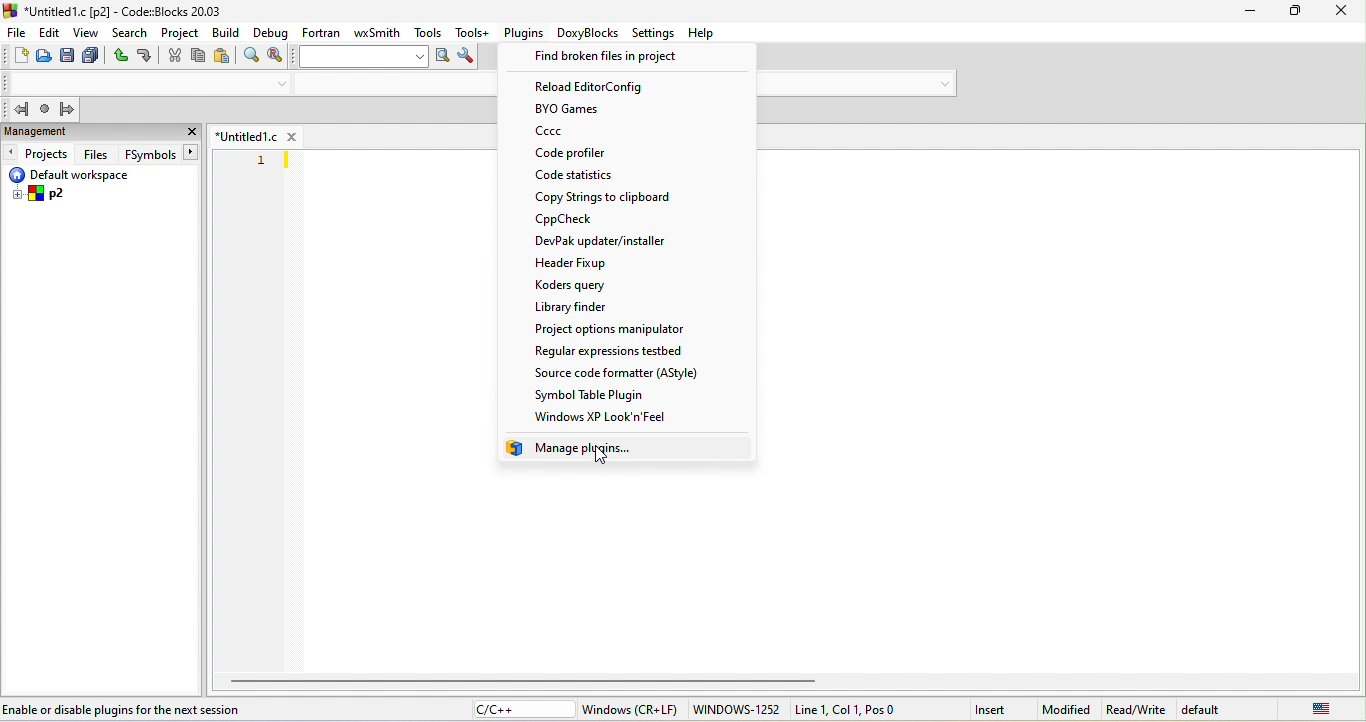 The image size is (1366, 722). What do you see at coordinates (521, 709) in the screenshot?
I see `c\c++` at bounding box center [521, 709].